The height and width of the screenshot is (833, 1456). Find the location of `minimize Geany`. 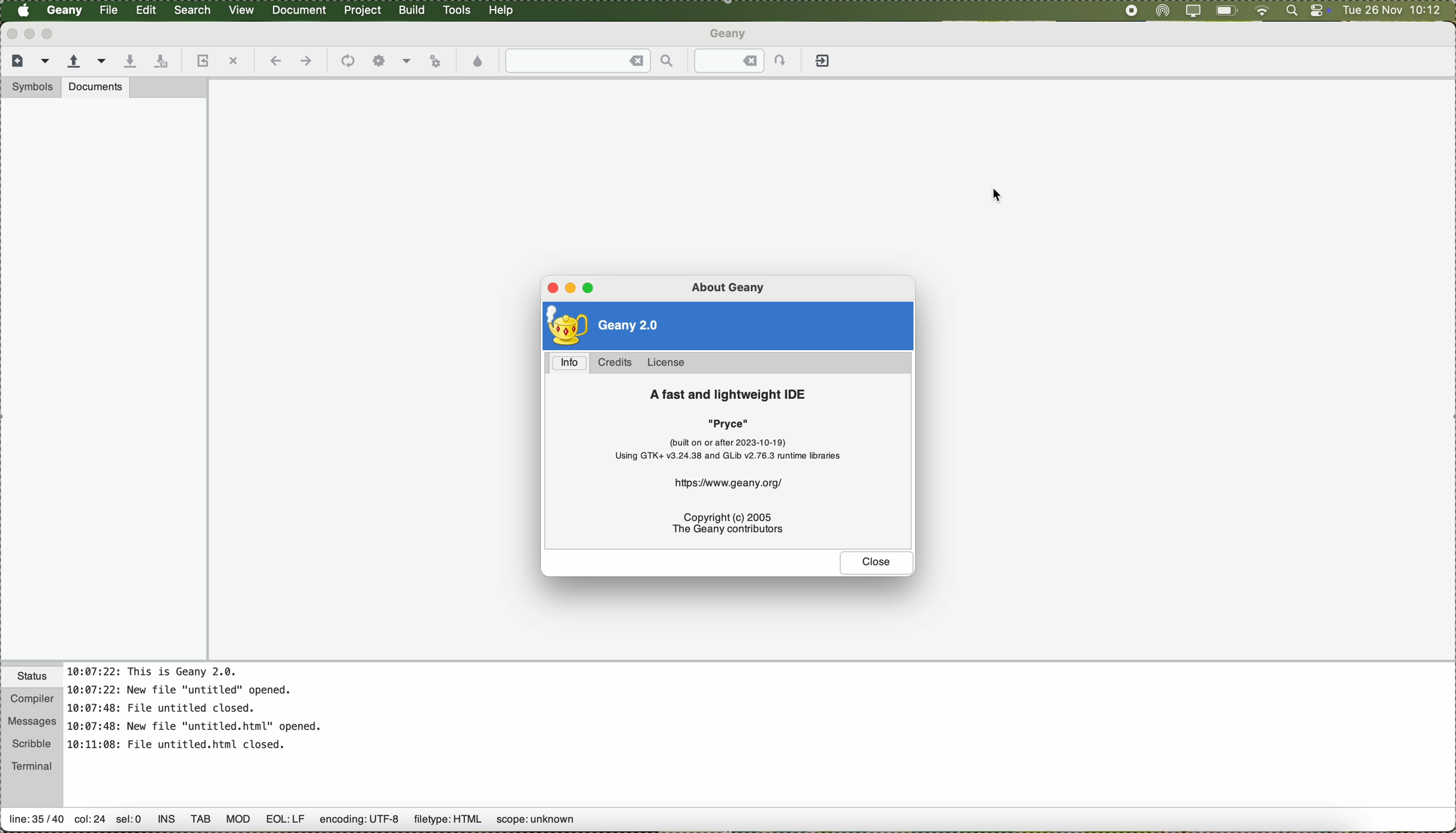

minimize Geany is located at coordinates (34, 35).